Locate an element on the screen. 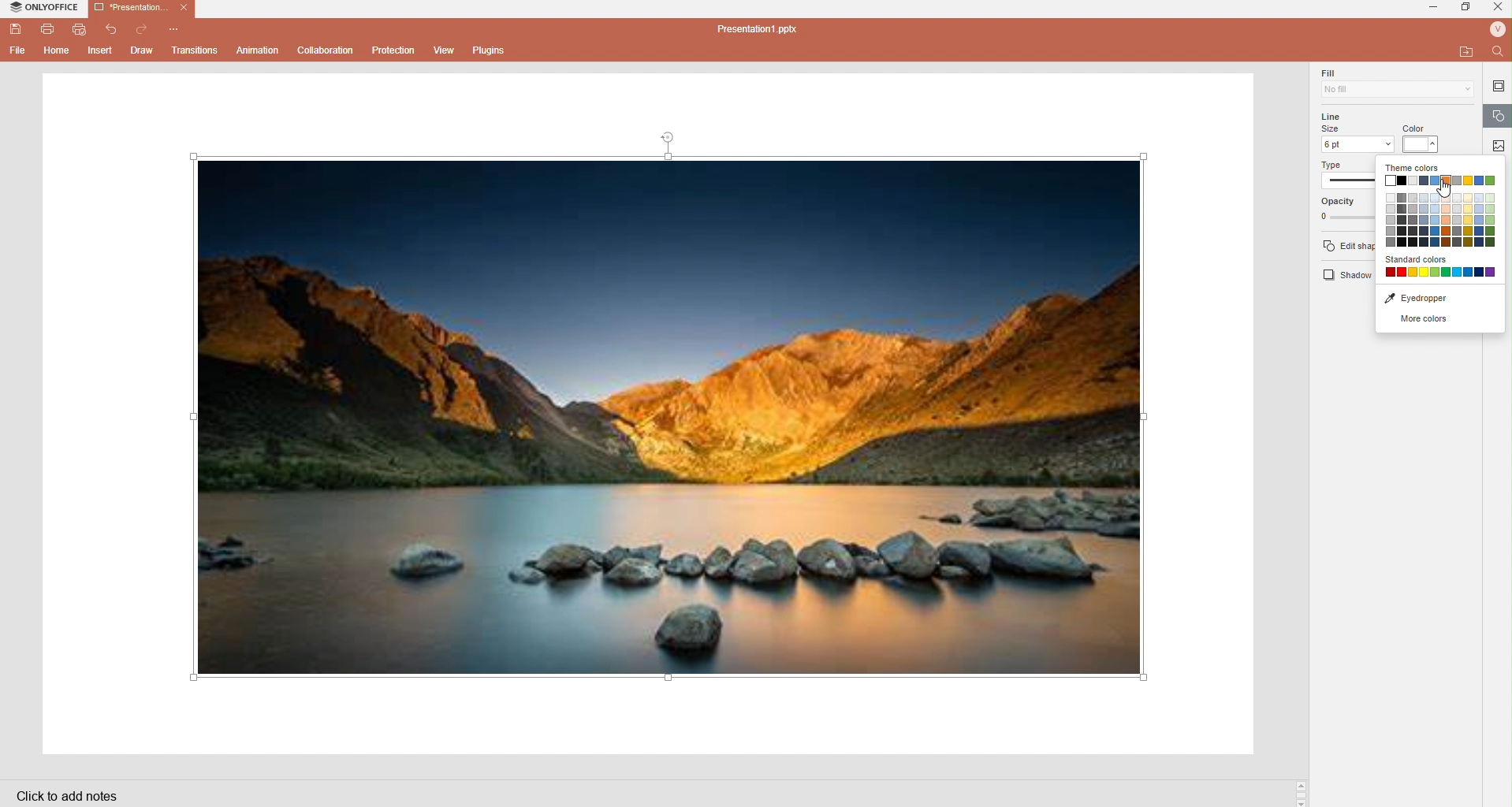 The width and height of the screenshot is (1512, 807). Print file is located at coordinates (47, 30).